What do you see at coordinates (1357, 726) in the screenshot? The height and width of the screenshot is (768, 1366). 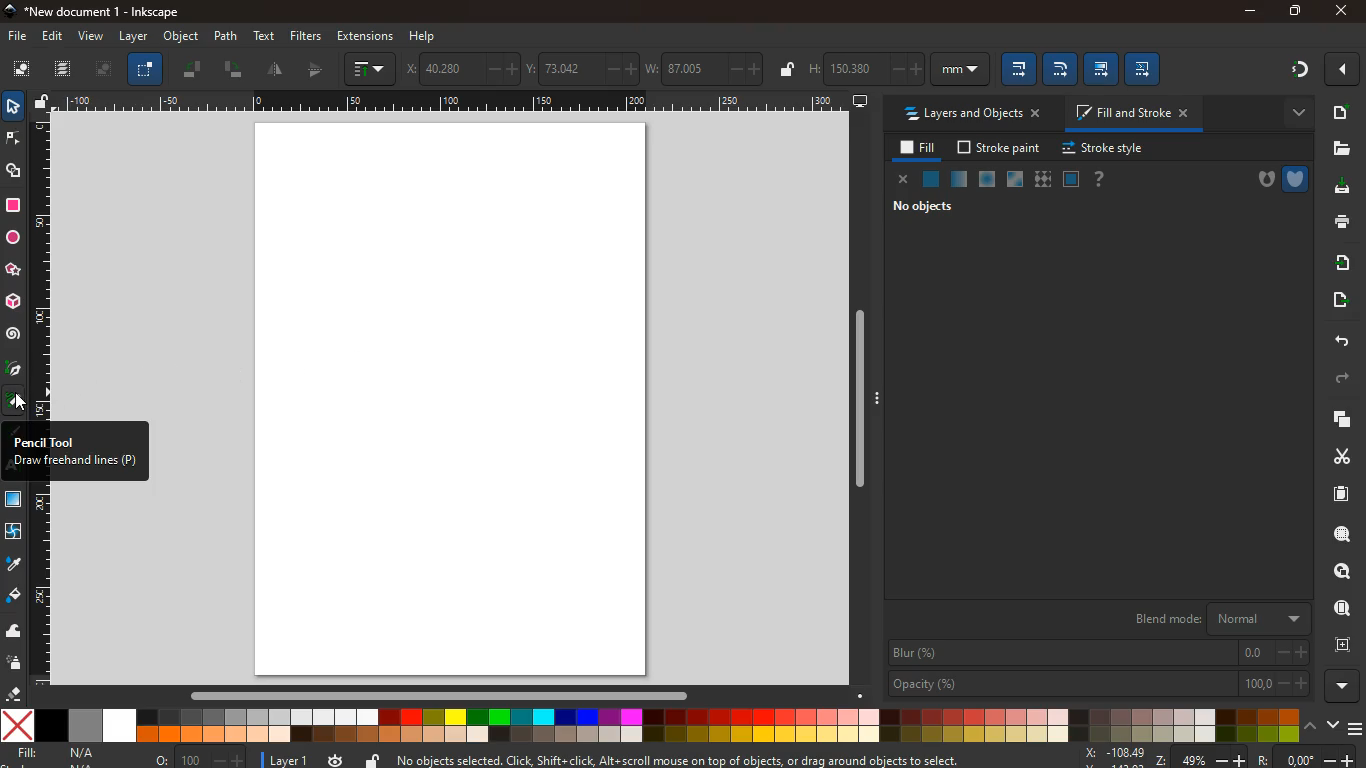 I see `menu` at bounding box center [1357, 726].